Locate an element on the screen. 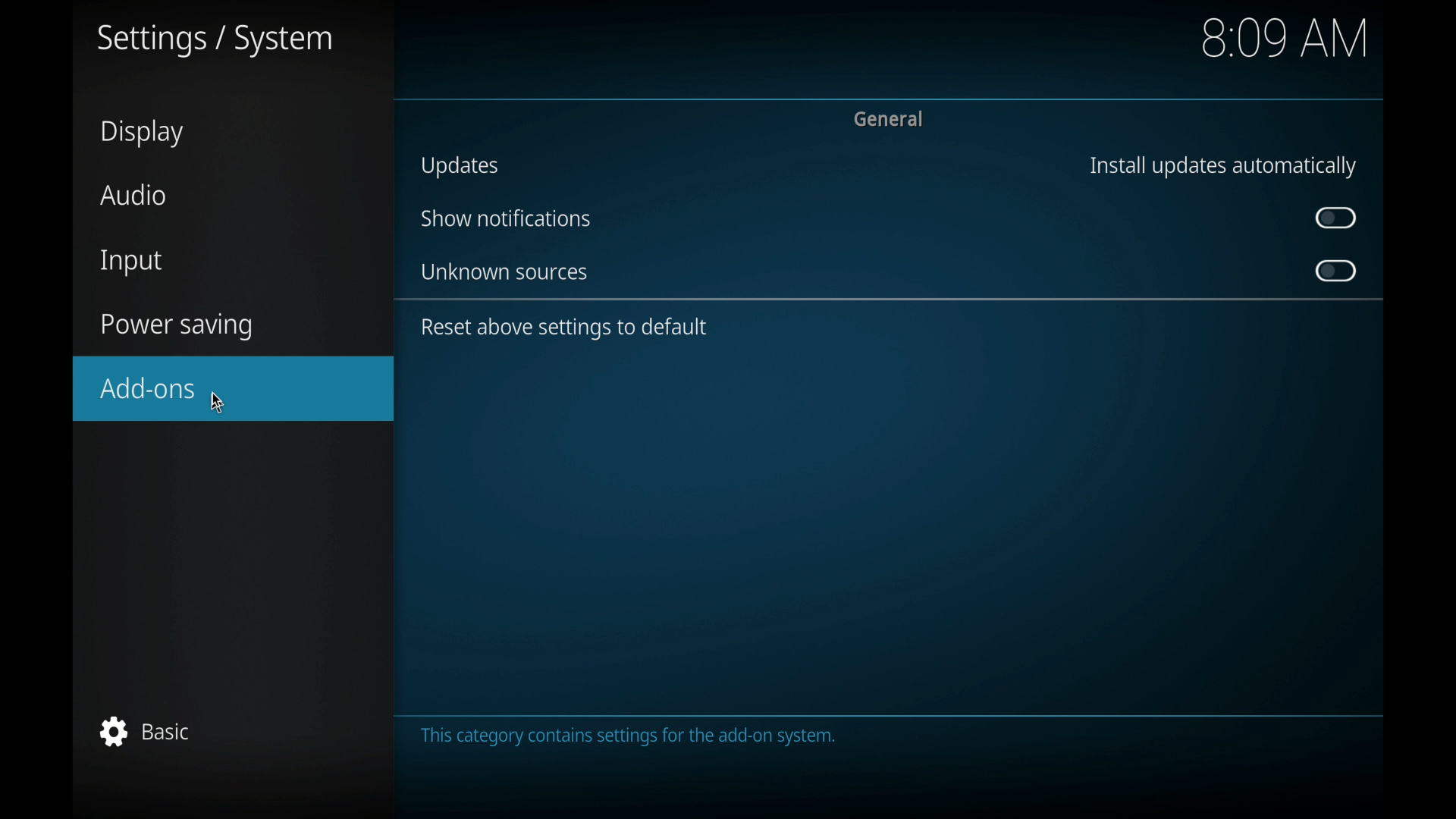  display is located at coordinates (145, 133).